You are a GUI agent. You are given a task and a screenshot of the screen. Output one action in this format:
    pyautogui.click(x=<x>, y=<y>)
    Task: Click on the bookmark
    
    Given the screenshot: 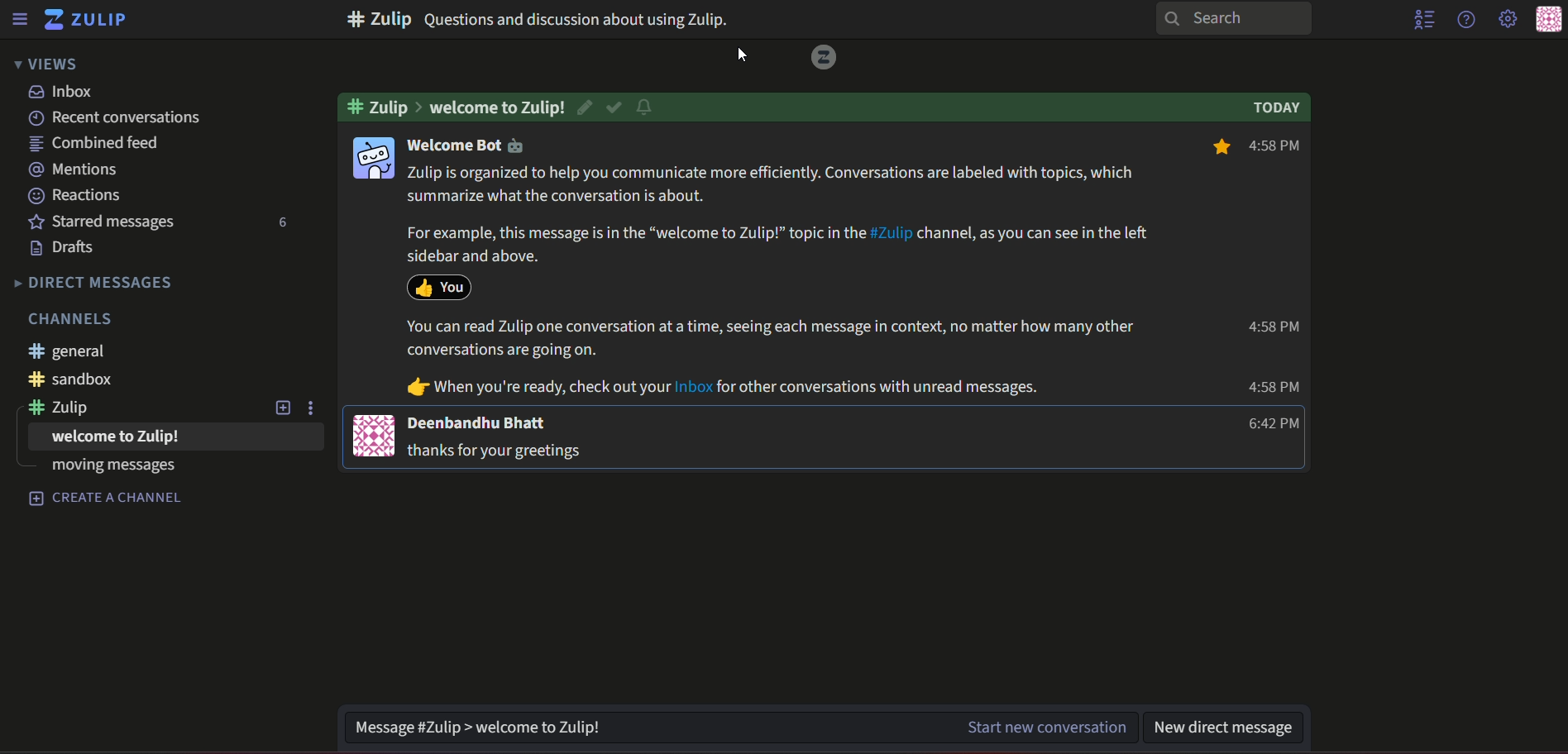 What is the action you would take?
    pyautogui.click(x=1226, y=146)
    